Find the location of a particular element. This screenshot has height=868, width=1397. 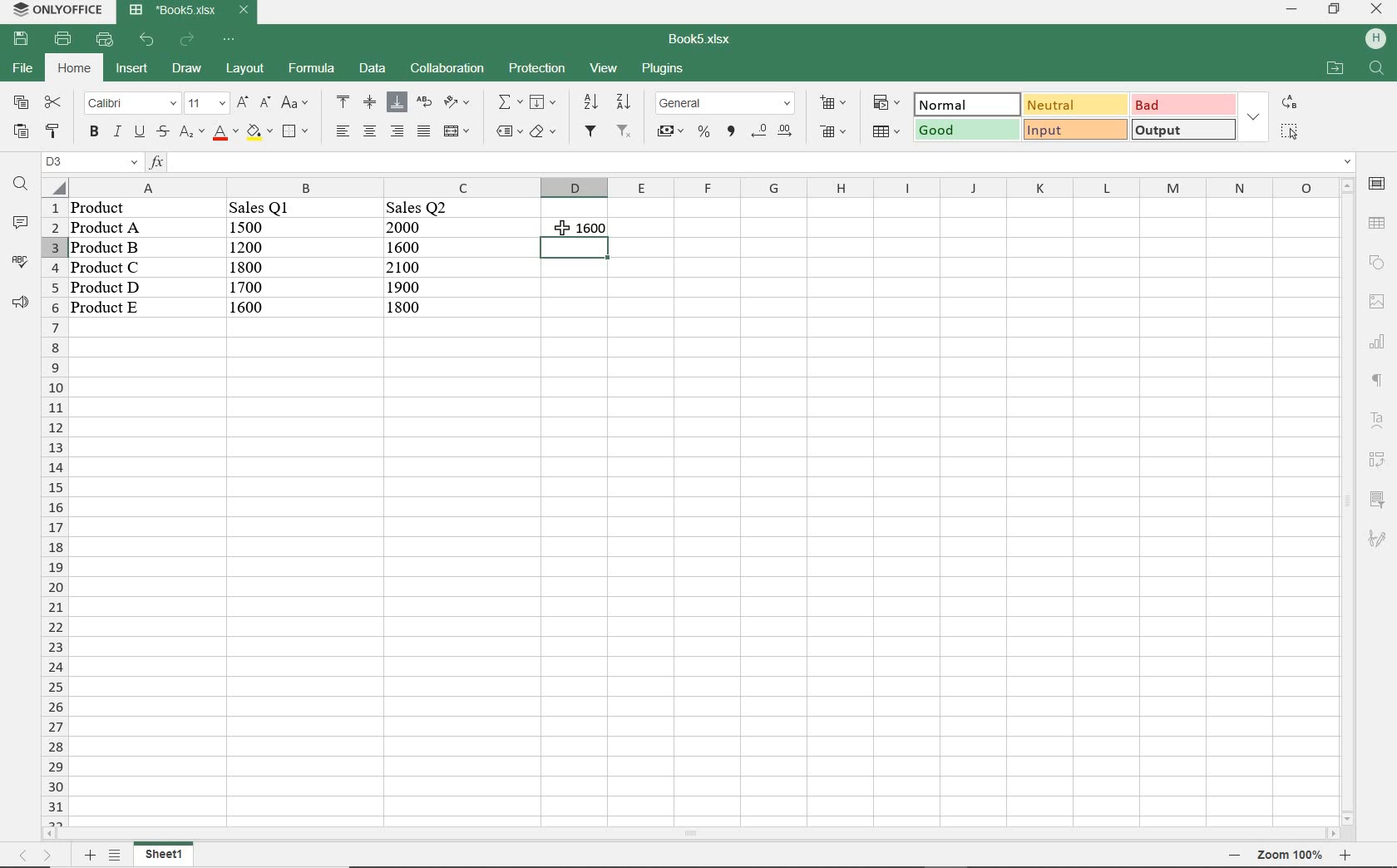

columns is located at coordinates (697, 187).